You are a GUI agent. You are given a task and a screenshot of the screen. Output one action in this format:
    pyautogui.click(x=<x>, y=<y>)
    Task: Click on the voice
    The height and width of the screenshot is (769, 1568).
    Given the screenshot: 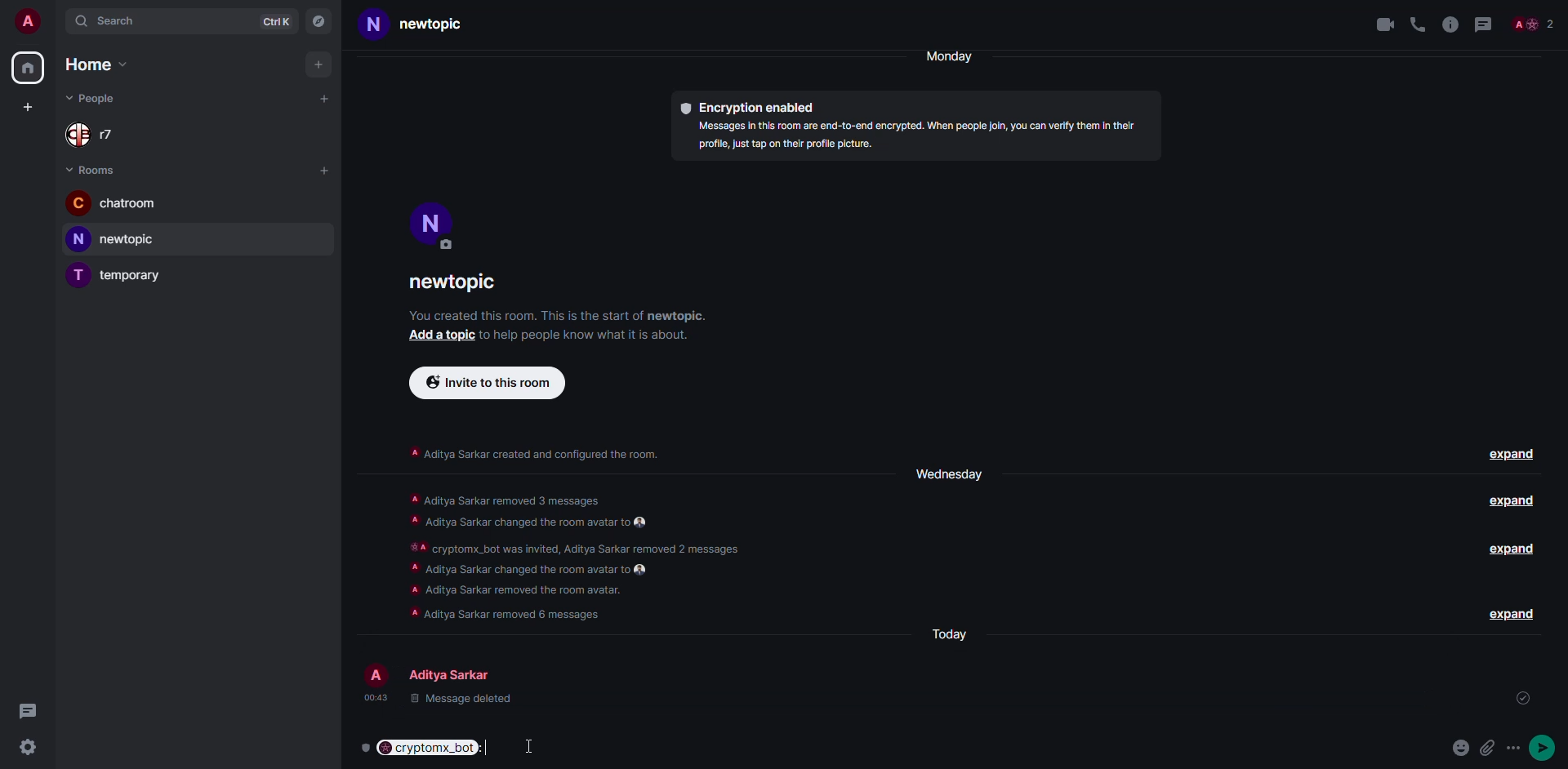 What is the action you would take?
    pyautogui.click(x=1414, y=22)
    